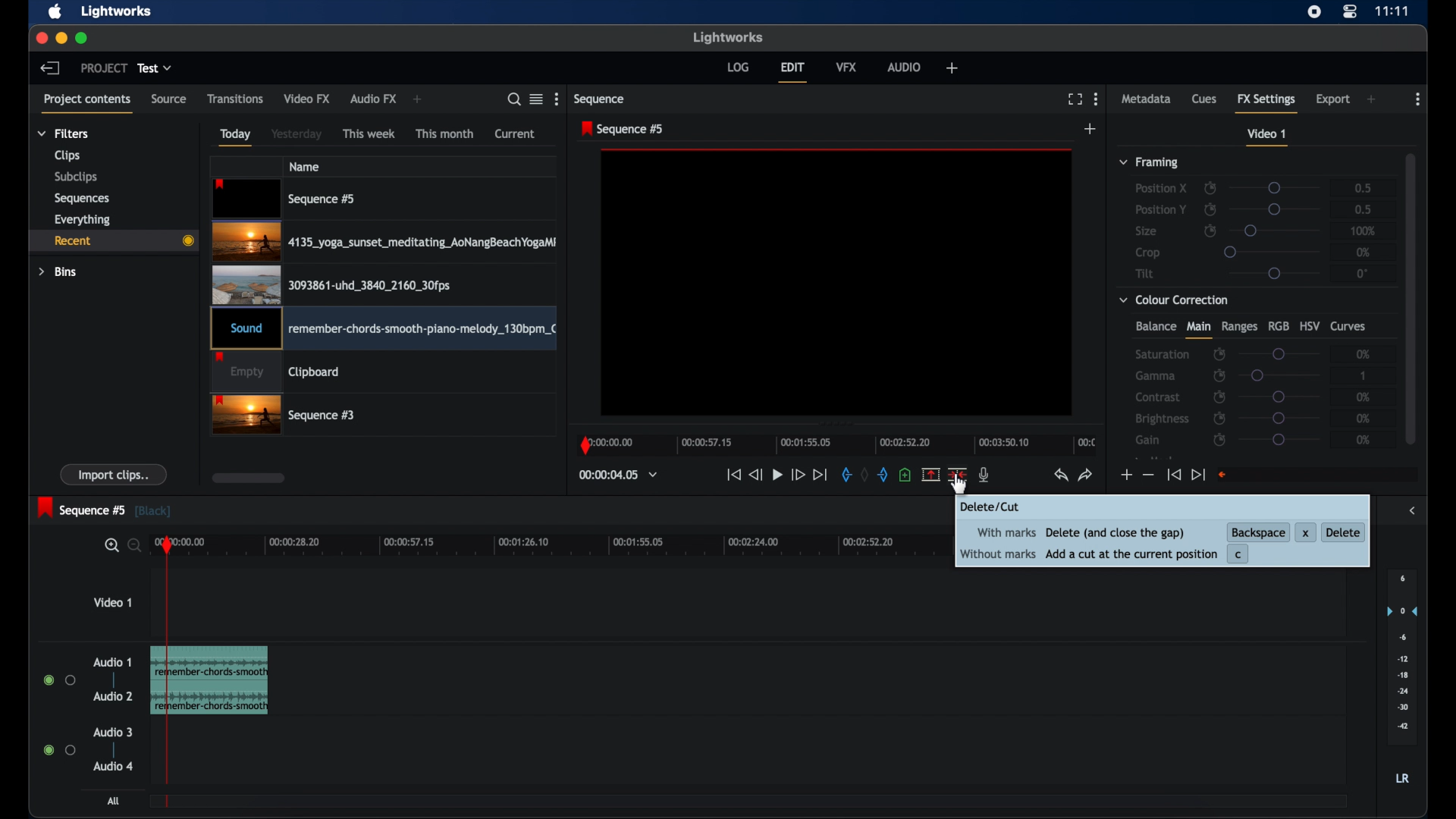 The height and width of the screenshot is (819, 1456). I want to click on enable/disable keyframes, so click(1219, 355).